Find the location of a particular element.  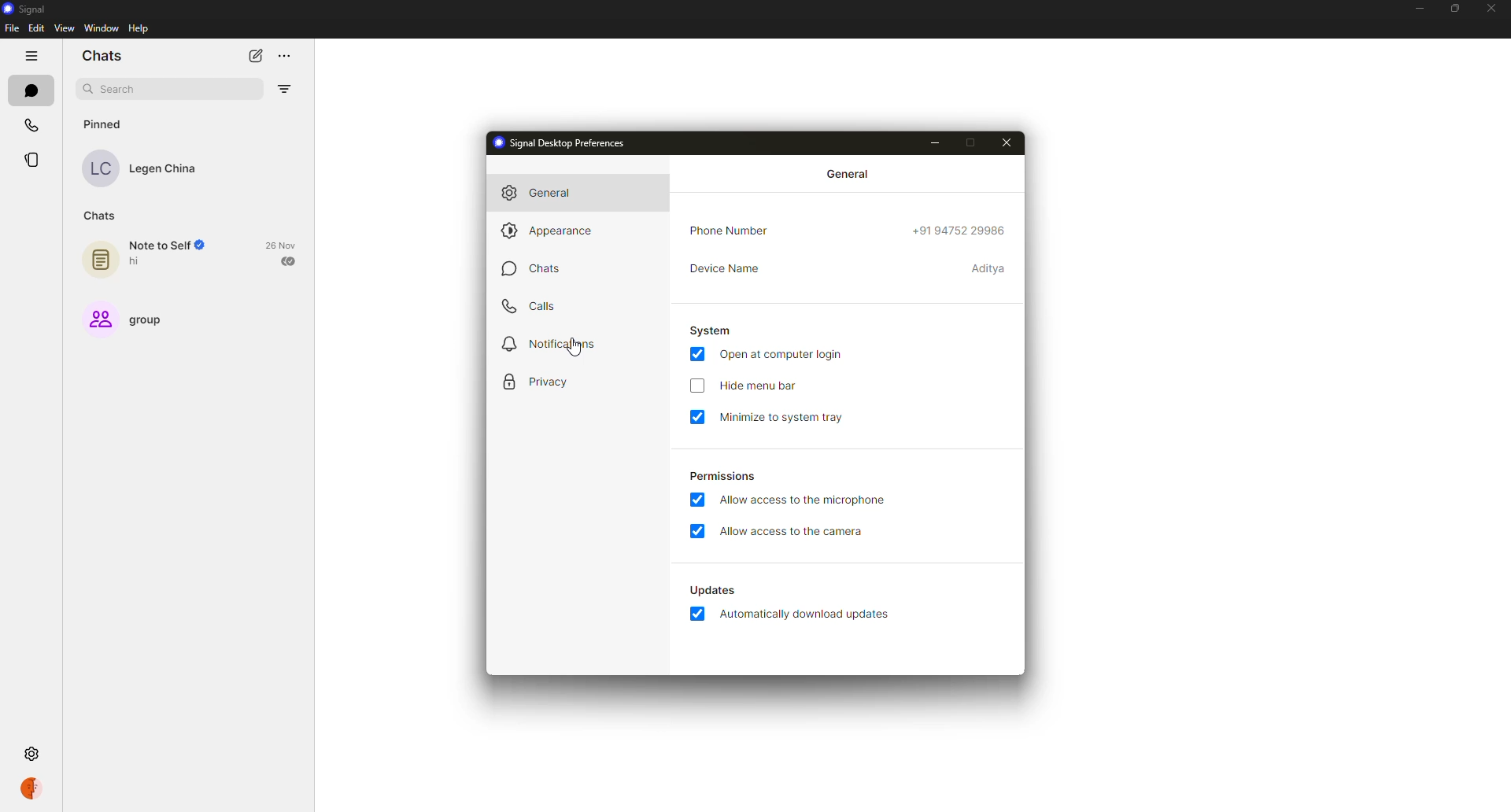

chats is located at coordinates (102, 56).